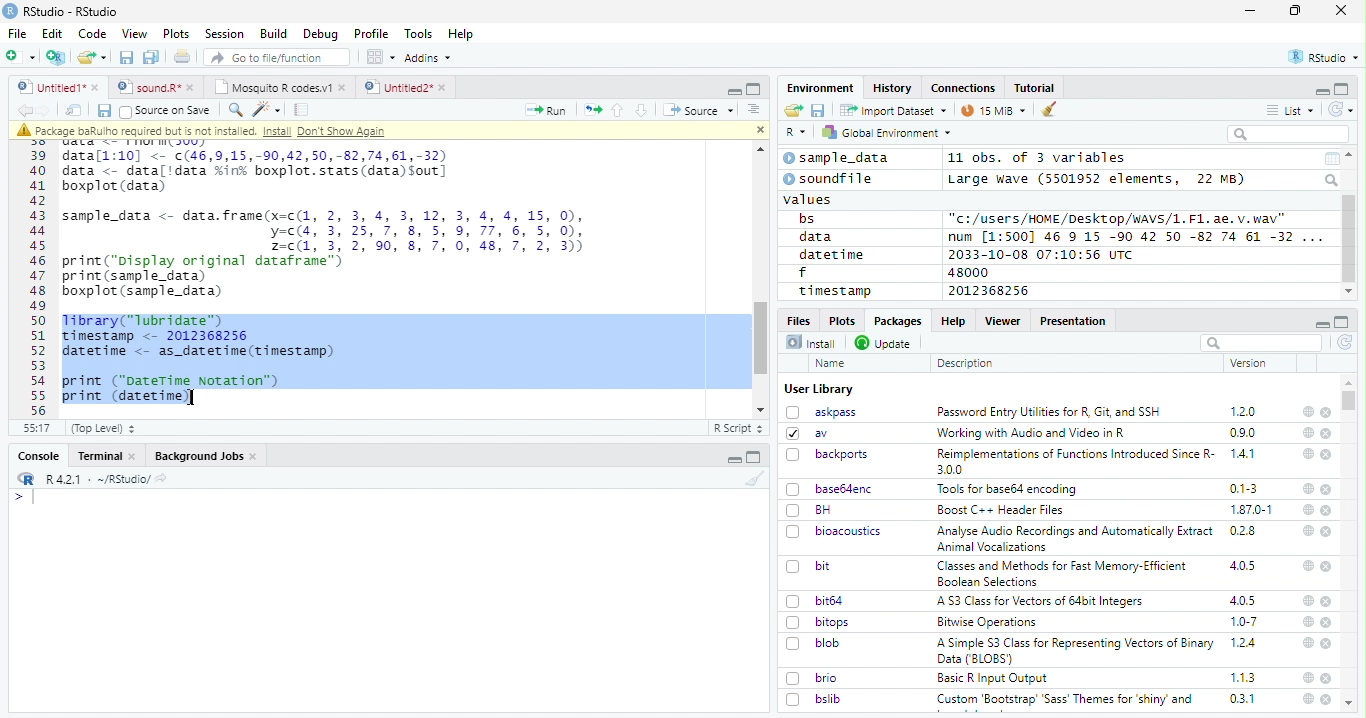 The image size is (1366, 718). What do you see at coordinates (1328, 510) in the screenshot?
I see `close` at bounding box center [1328, 510].